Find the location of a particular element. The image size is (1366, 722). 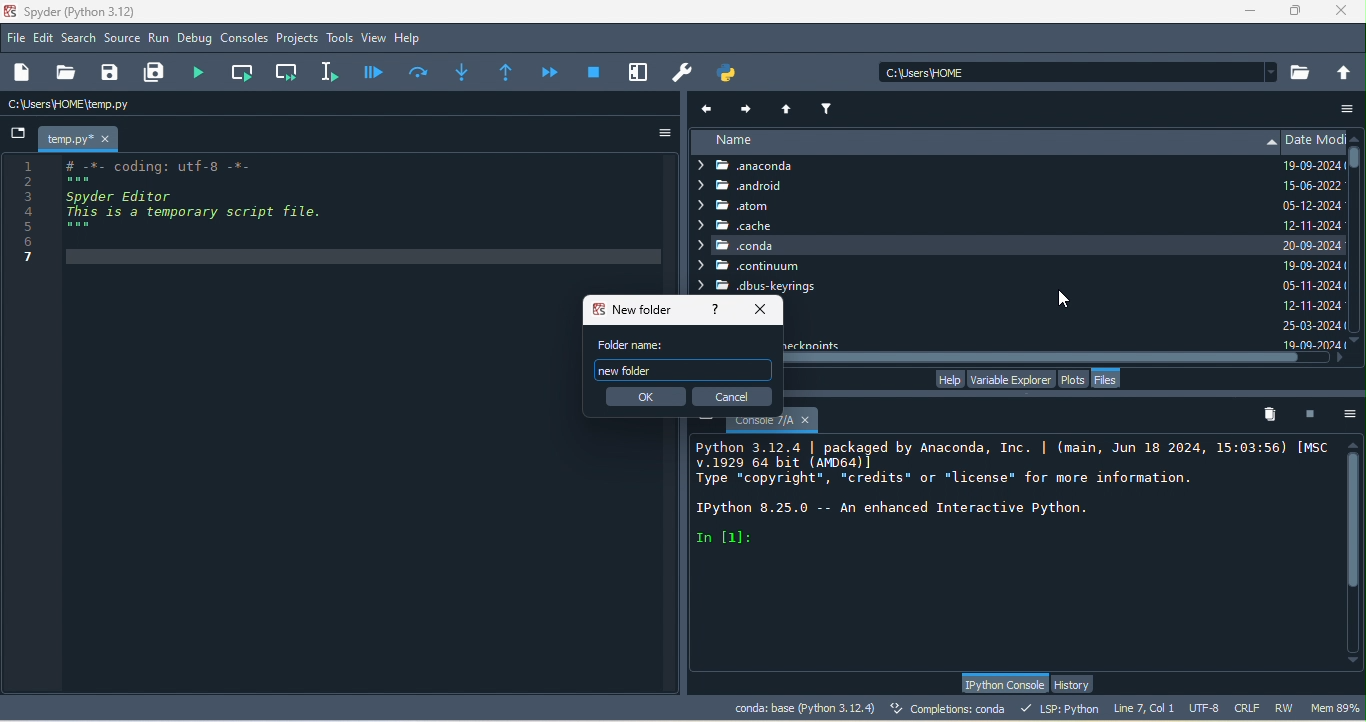

view is located at coordinates (374, 38).